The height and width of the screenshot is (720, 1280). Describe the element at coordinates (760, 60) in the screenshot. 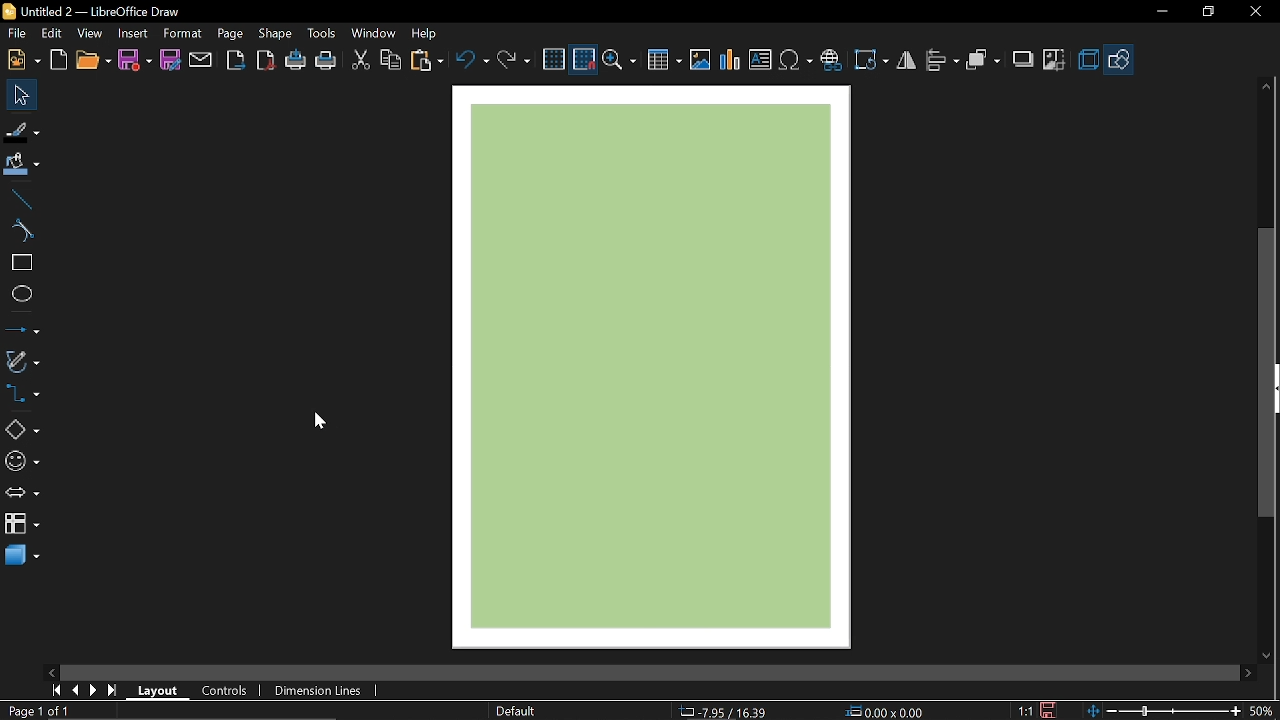

I see `Insert text` at that location.